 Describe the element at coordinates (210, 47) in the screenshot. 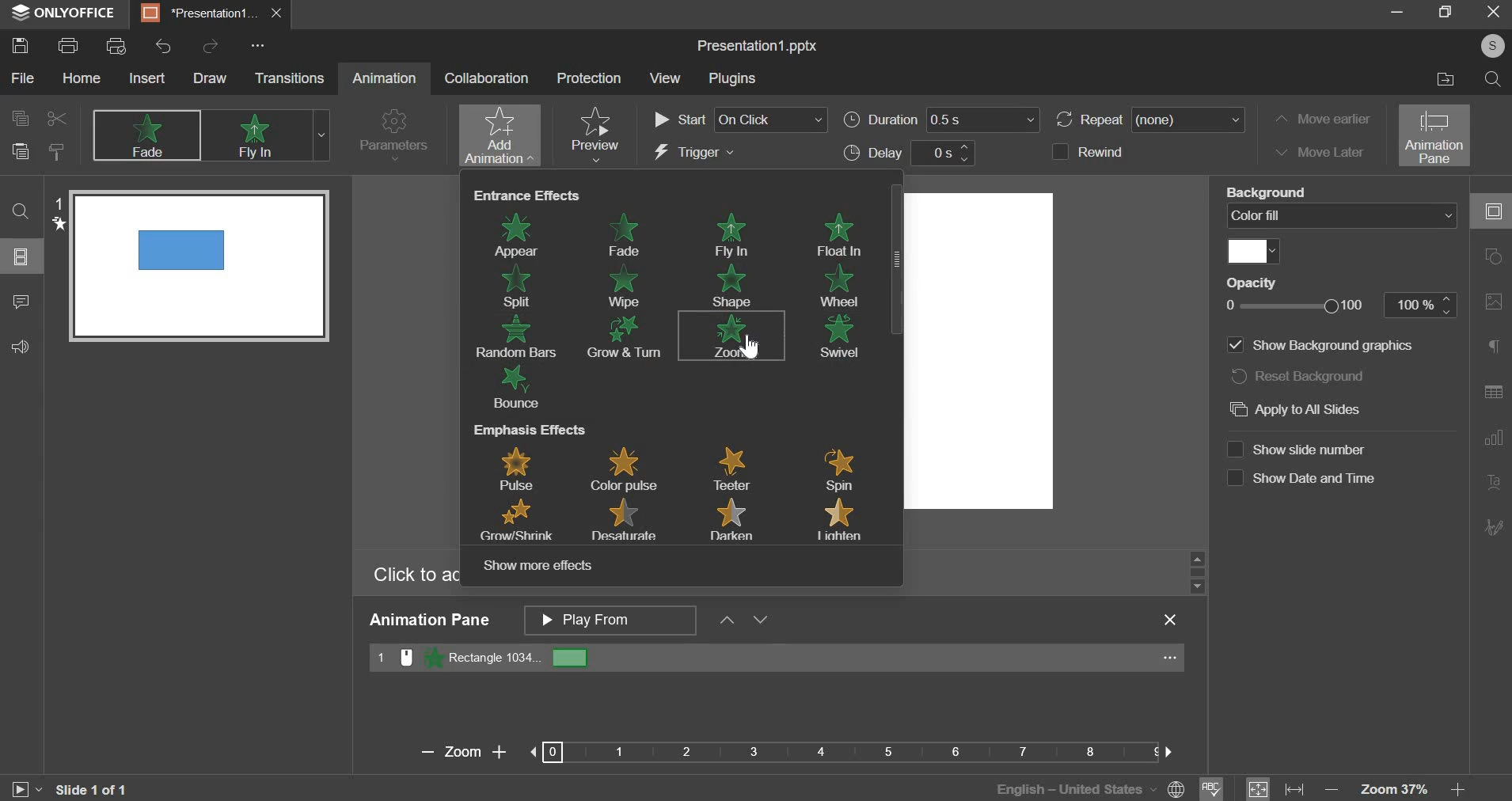

I see `redo` at that location.